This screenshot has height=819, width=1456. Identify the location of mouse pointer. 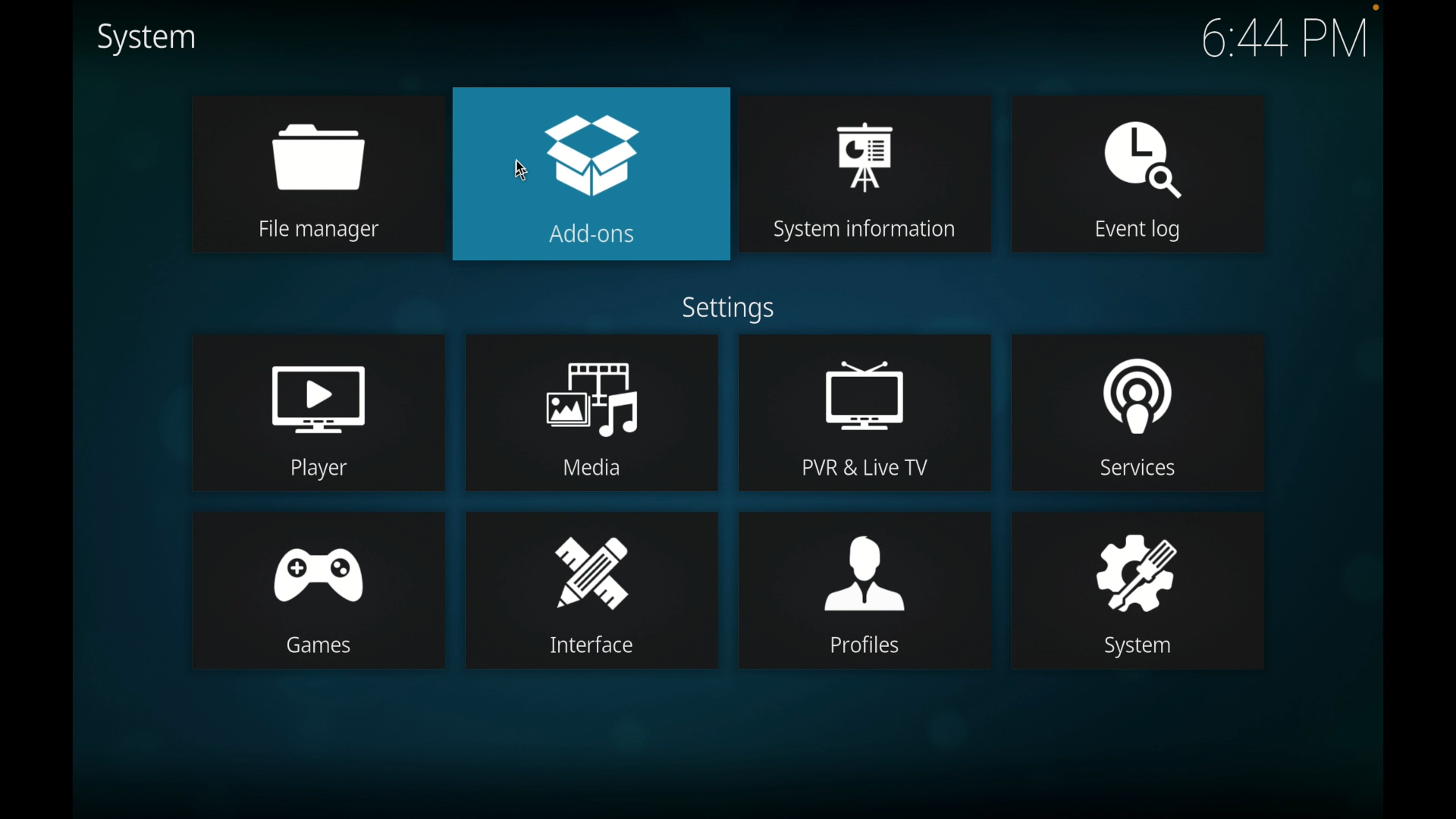
(518, 168).